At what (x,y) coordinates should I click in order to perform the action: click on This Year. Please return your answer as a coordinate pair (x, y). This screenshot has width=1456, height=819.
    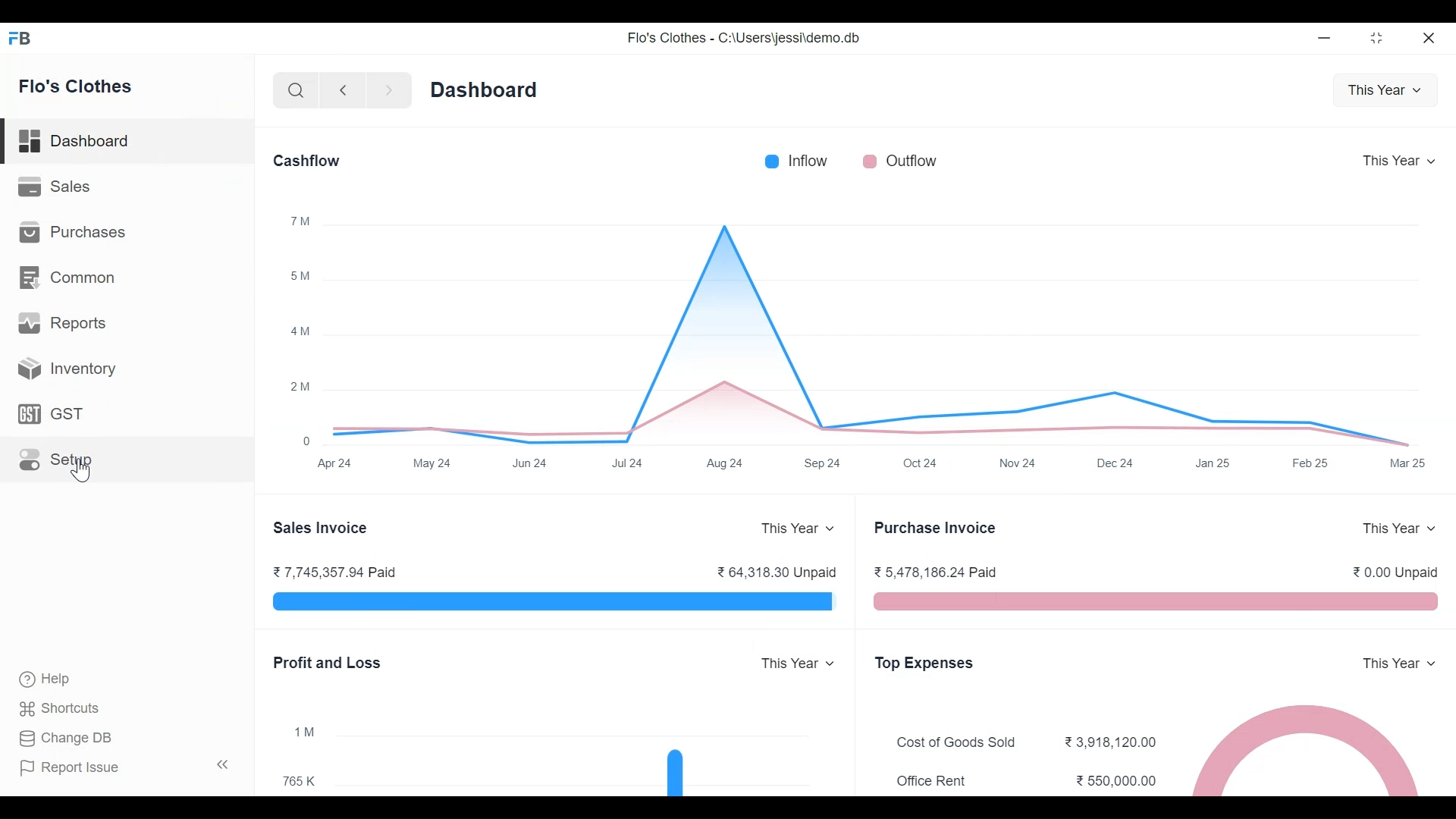
    Looking at the image, I should click on (1394, 526).